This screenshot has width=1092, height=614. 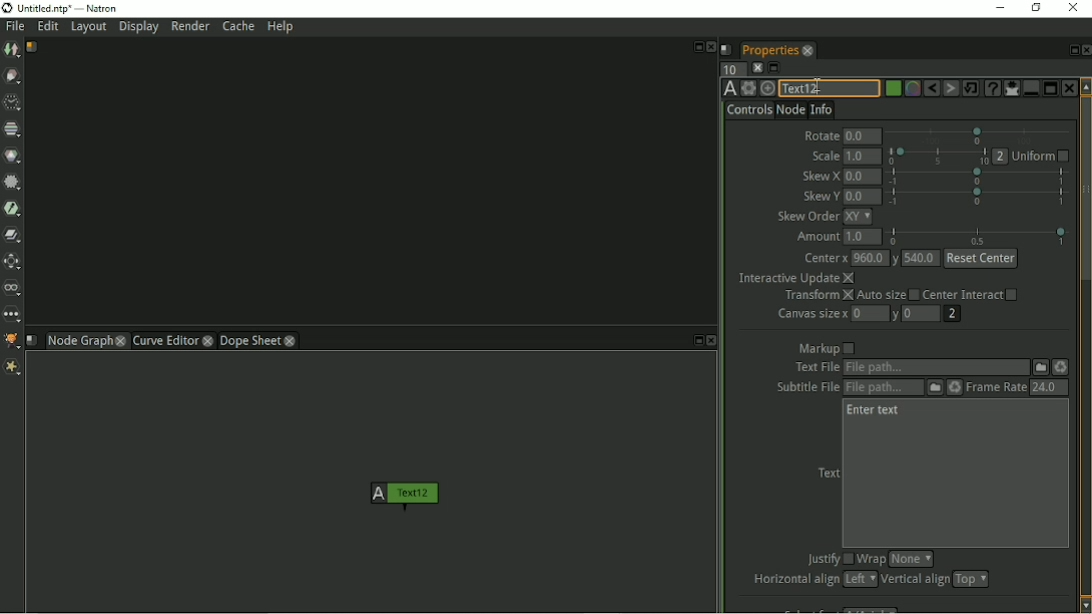 What do you see at coordinates (14, 289) in the screenshot?
I see `Views` at bounding box center [14, 289].